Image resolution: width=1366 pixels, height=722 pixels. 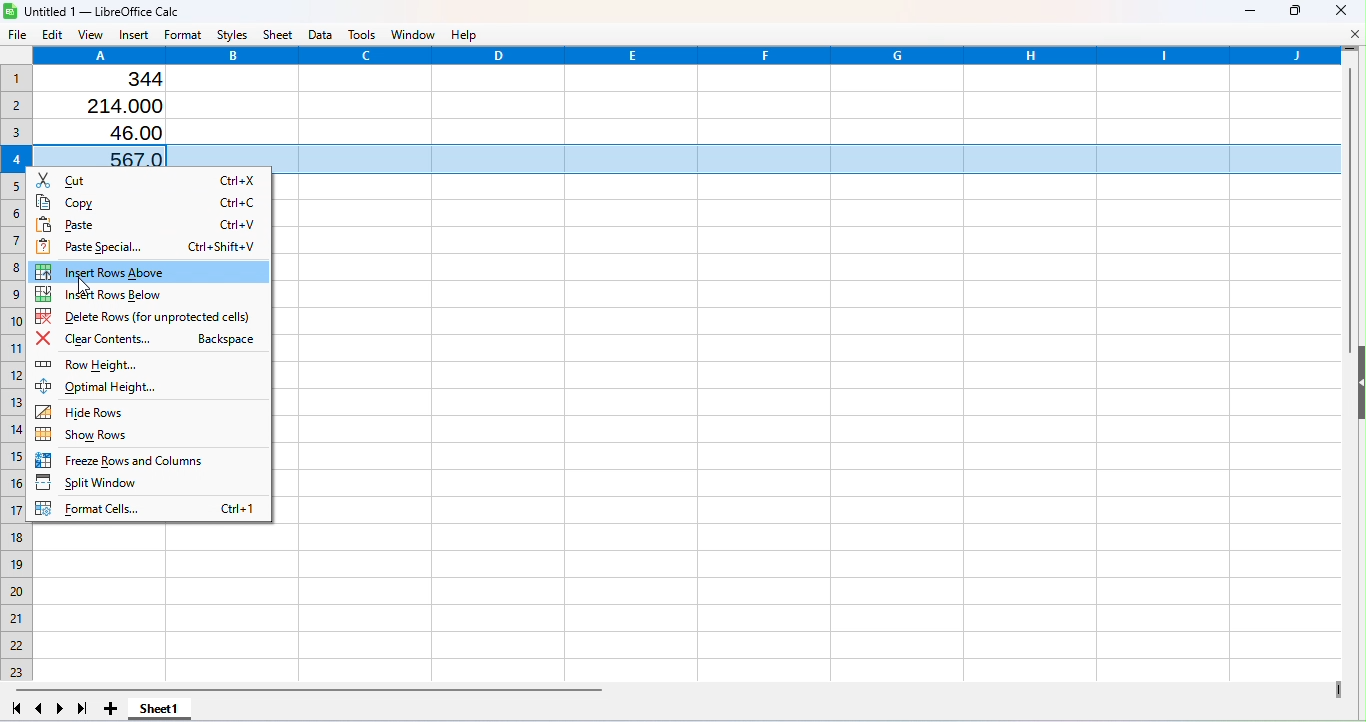 I want to click on Delete rows (for unprotected cells), so click(x=148, y=317).